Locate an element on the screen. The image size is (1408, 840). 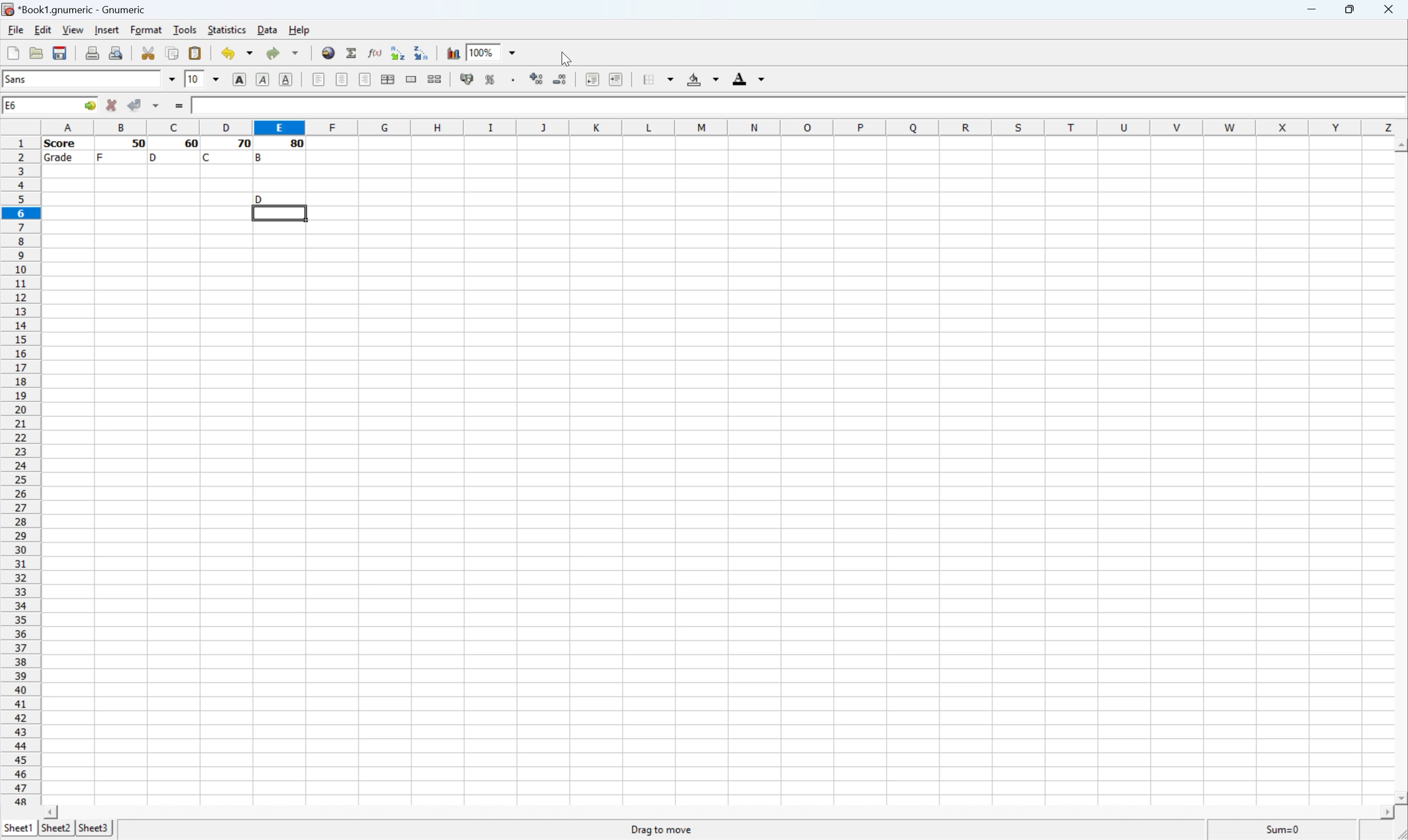
Sheet 2 is located at coordinates (57, 827).